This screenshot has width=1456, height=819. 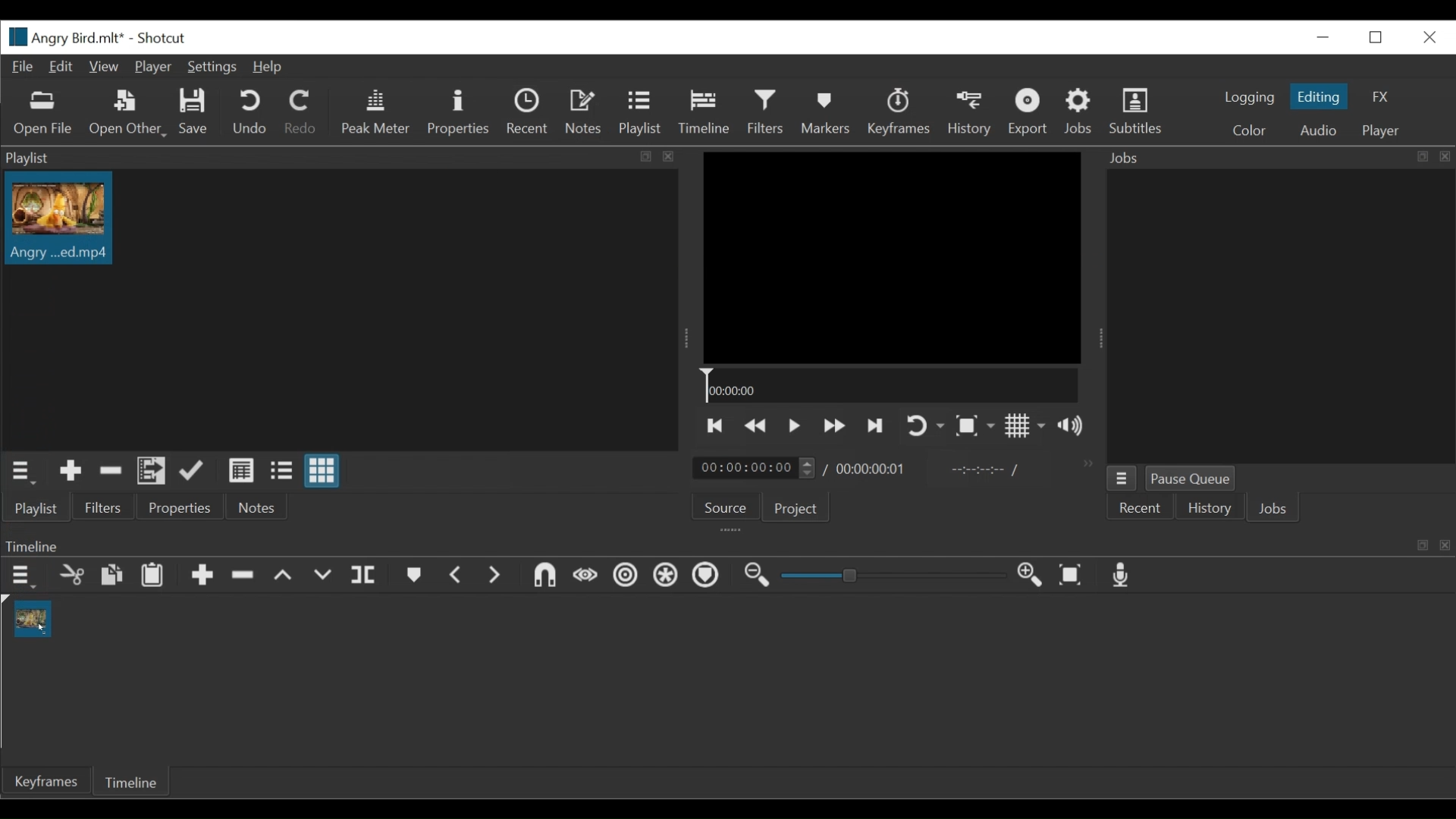 What do you see at coordinates (1070, 425) in the screenshot?
I see `Sow volume control` at bounding box center [1070, 425].